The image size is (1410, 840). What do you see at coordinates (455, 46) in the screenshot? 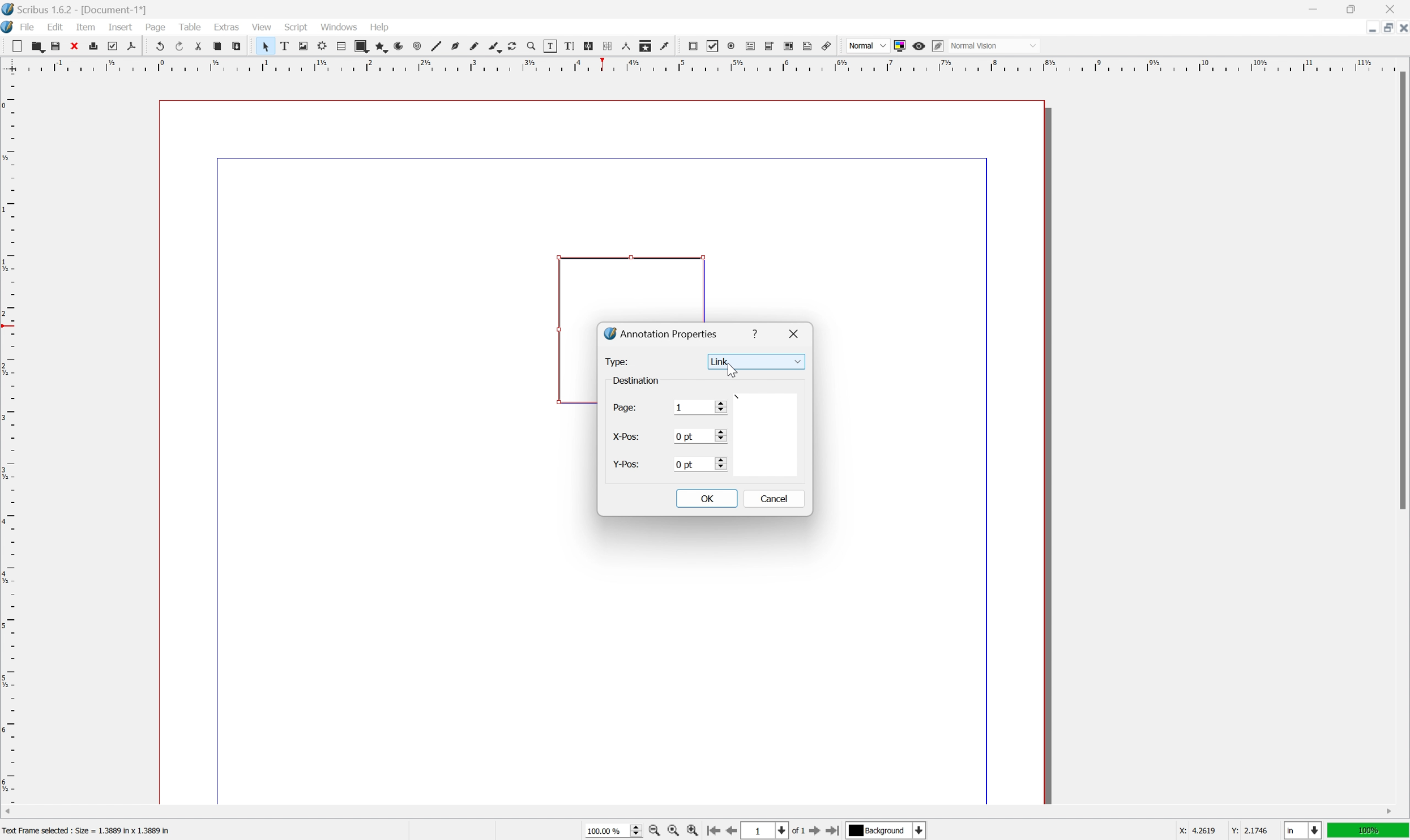
I see `bezier curve` at bounding box center [455, 46].